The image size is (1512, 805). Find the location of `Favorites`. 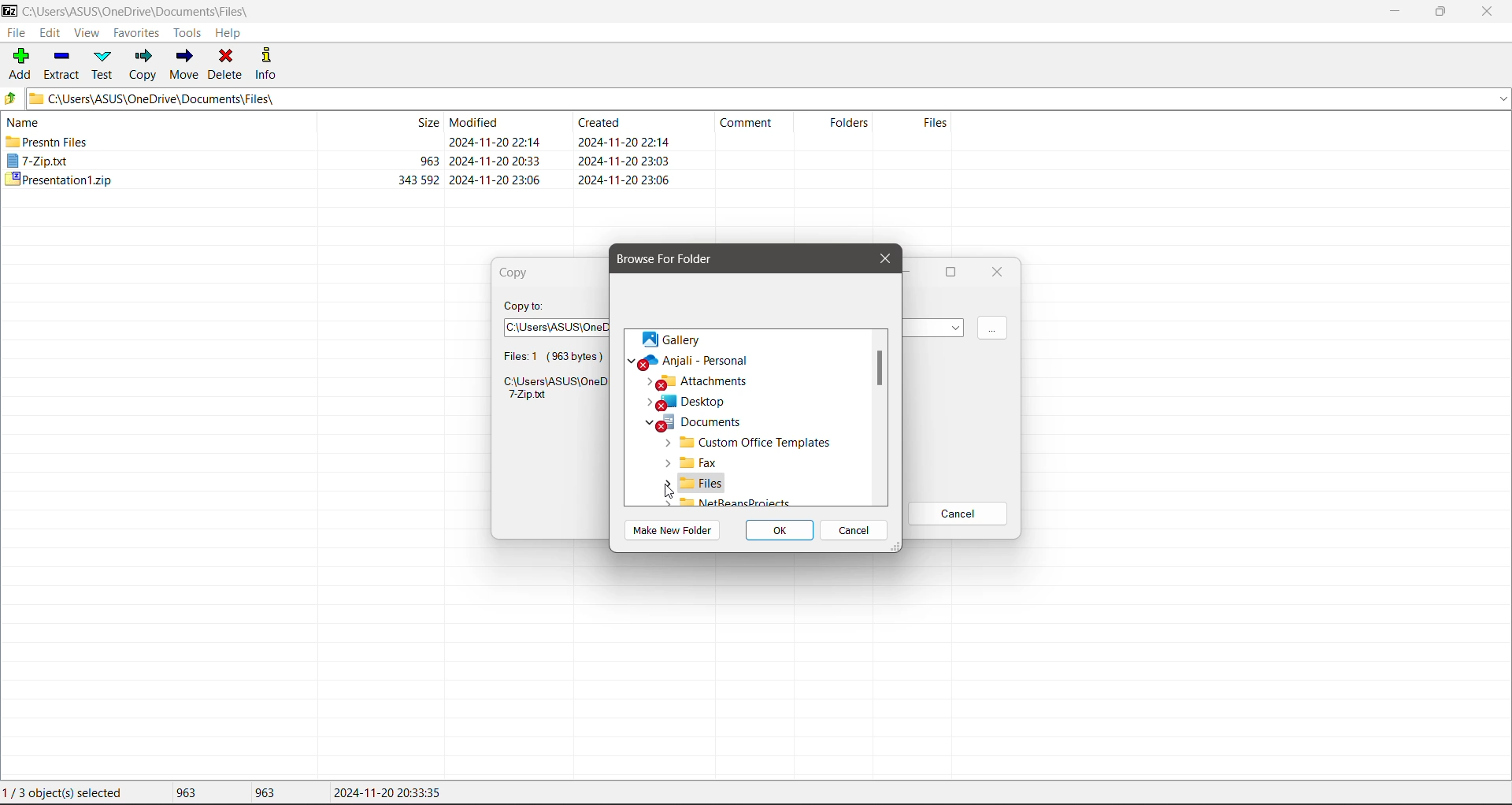

Favorites is located at coordinates (135, 32).